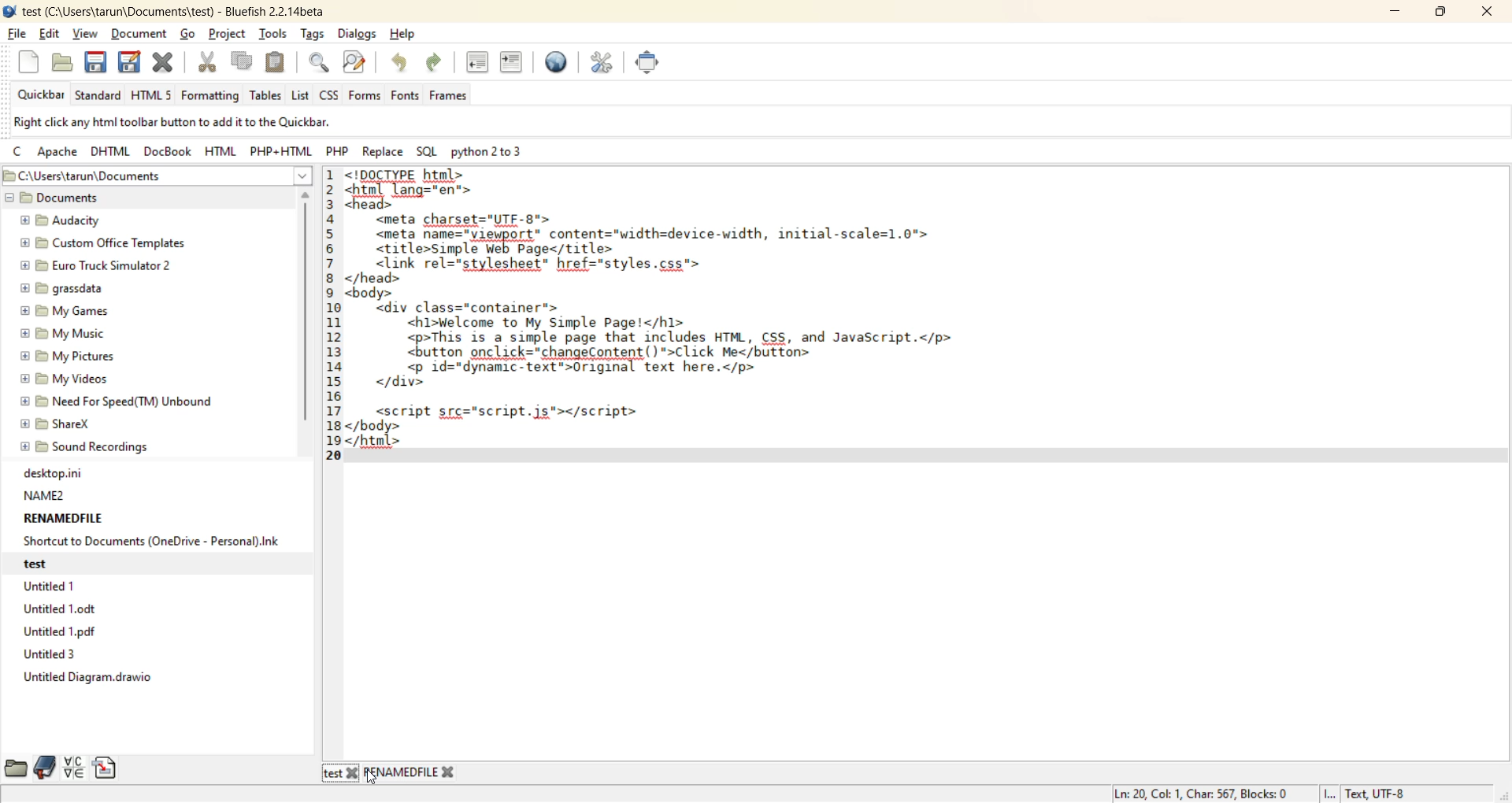 This screenshot has width=1512, height=803. I want to click on preview in browser, so click(561, 65).